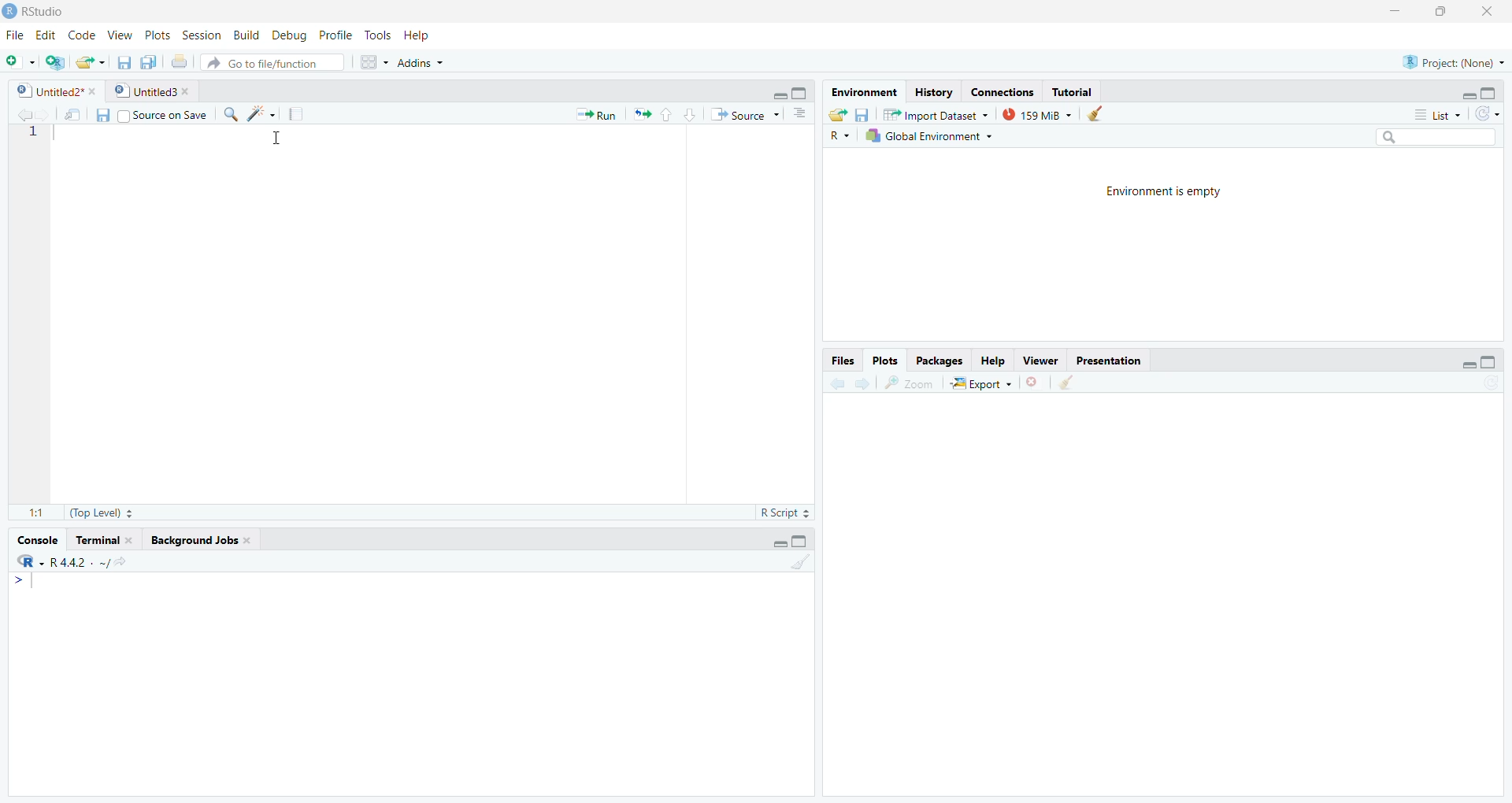 This screenshot has width=1512, height=803. What do you see at coordinates (1033, 383) in the screenshot?
I see `Delete` at bounding box center [1033, 383].